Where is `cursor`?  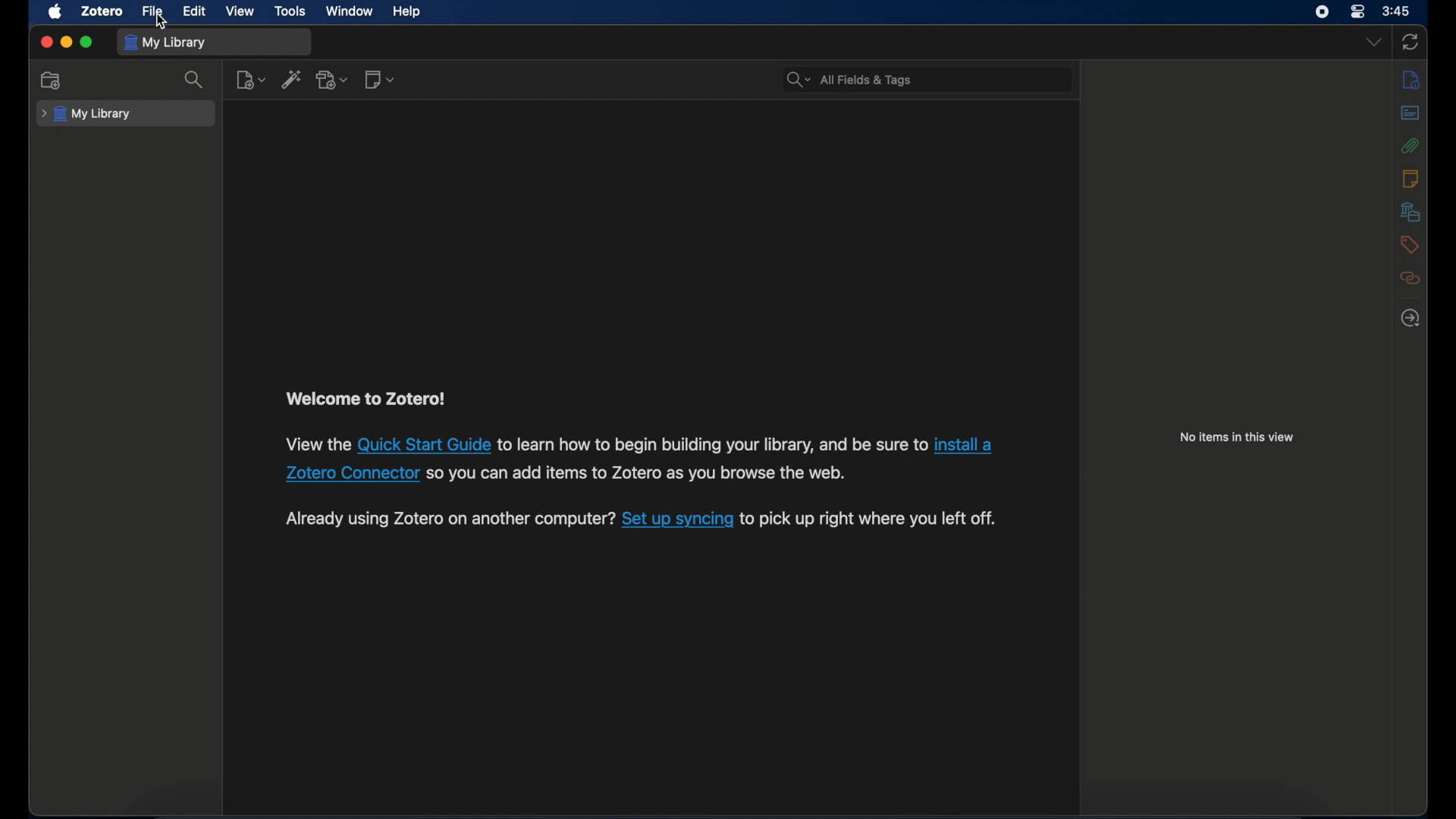 cursor is located at coordinates (161, 20).